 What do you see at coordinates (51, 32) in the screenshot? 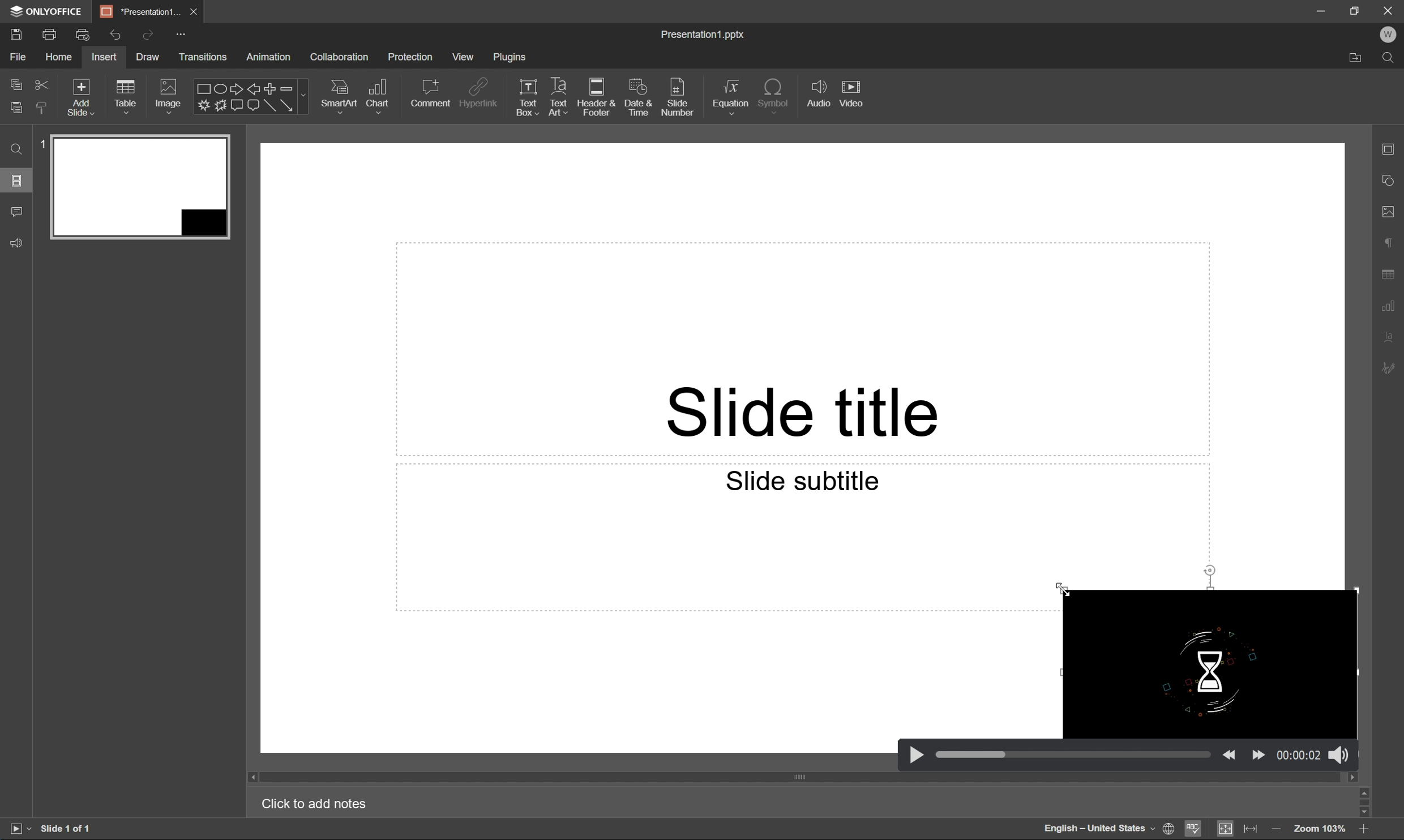
I see `print a file` at bounding box center [51, 32].